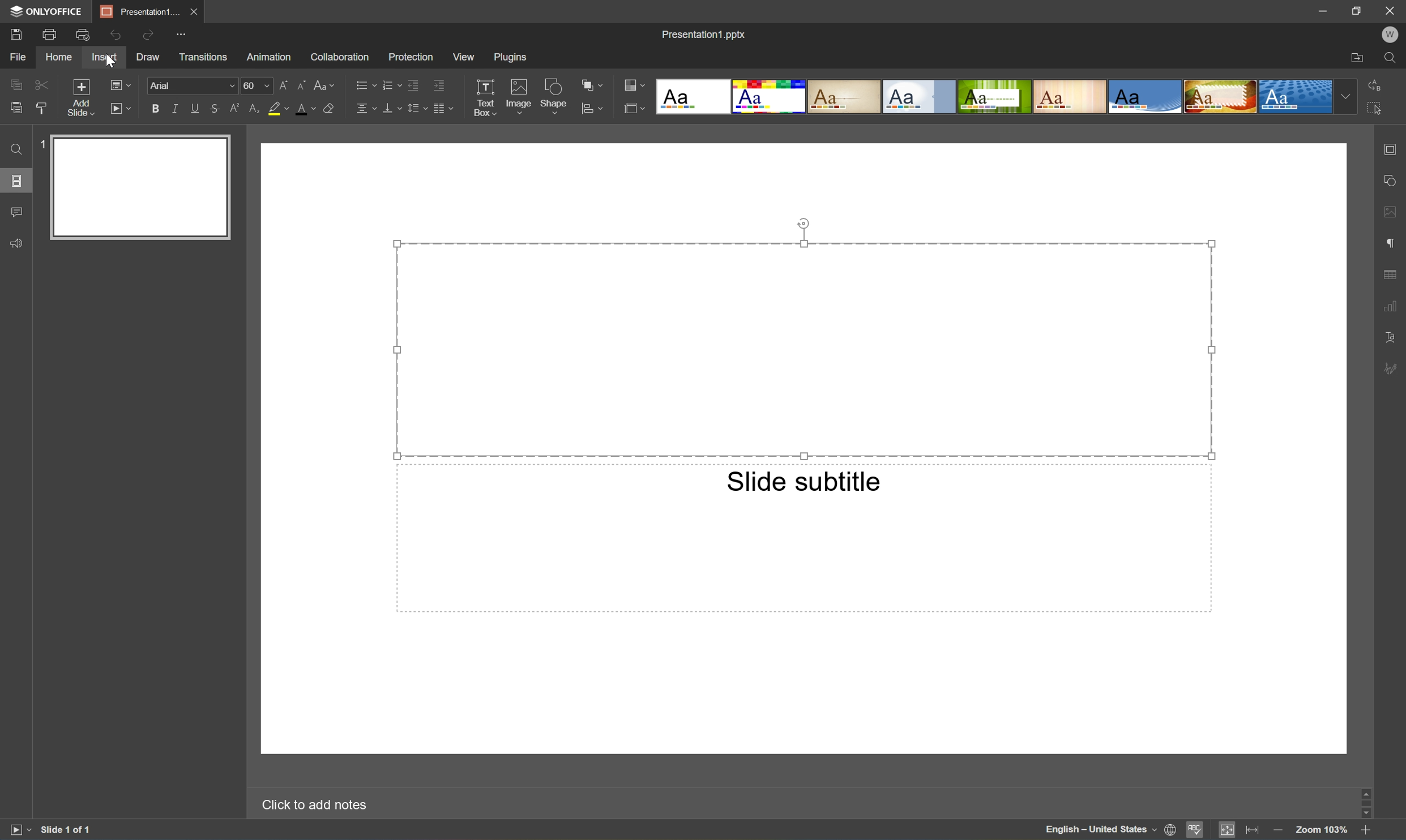 The height and width of the screenshot is (840, 1406). What do you see at coordinates (164, 84) in the screenshot?
I see `Font` at bounding box center [164, 84].